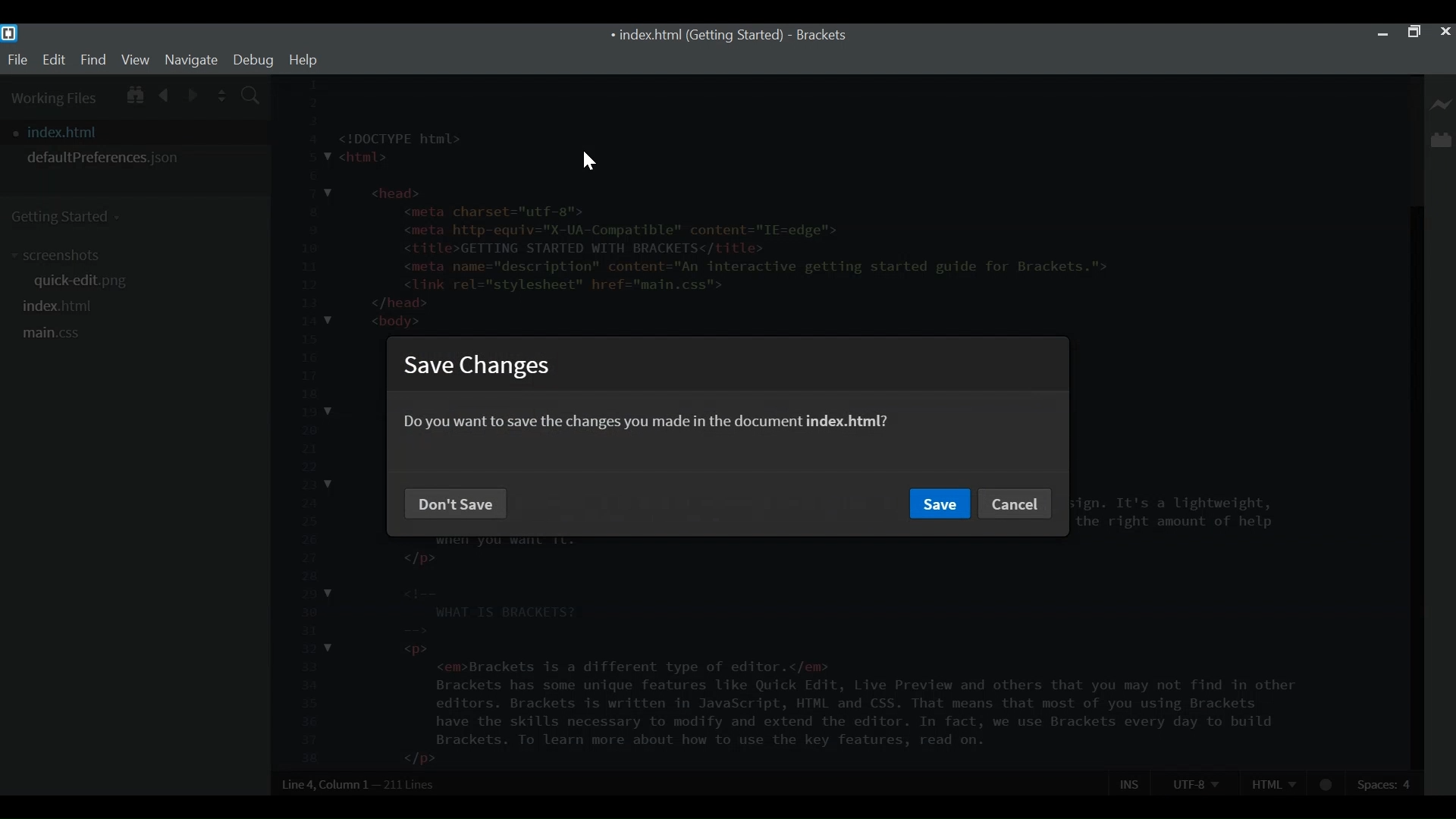  Describe the element at coordinates (60, 256) in the screenshot. I see `screenshots` at that location.